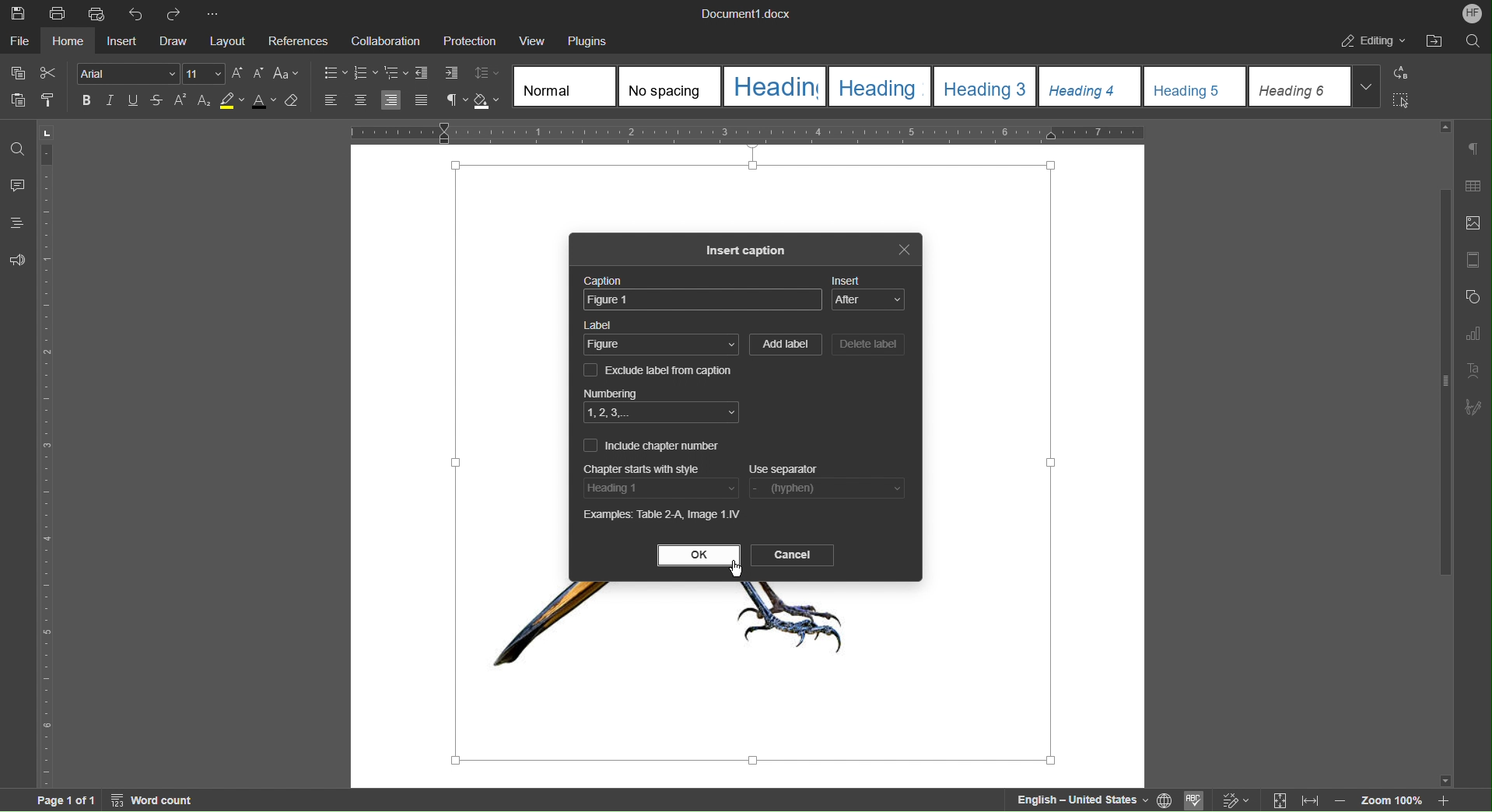 The height and width of the screenshot is (812, 1492). I want to click on Signature, so click(1473, 408).